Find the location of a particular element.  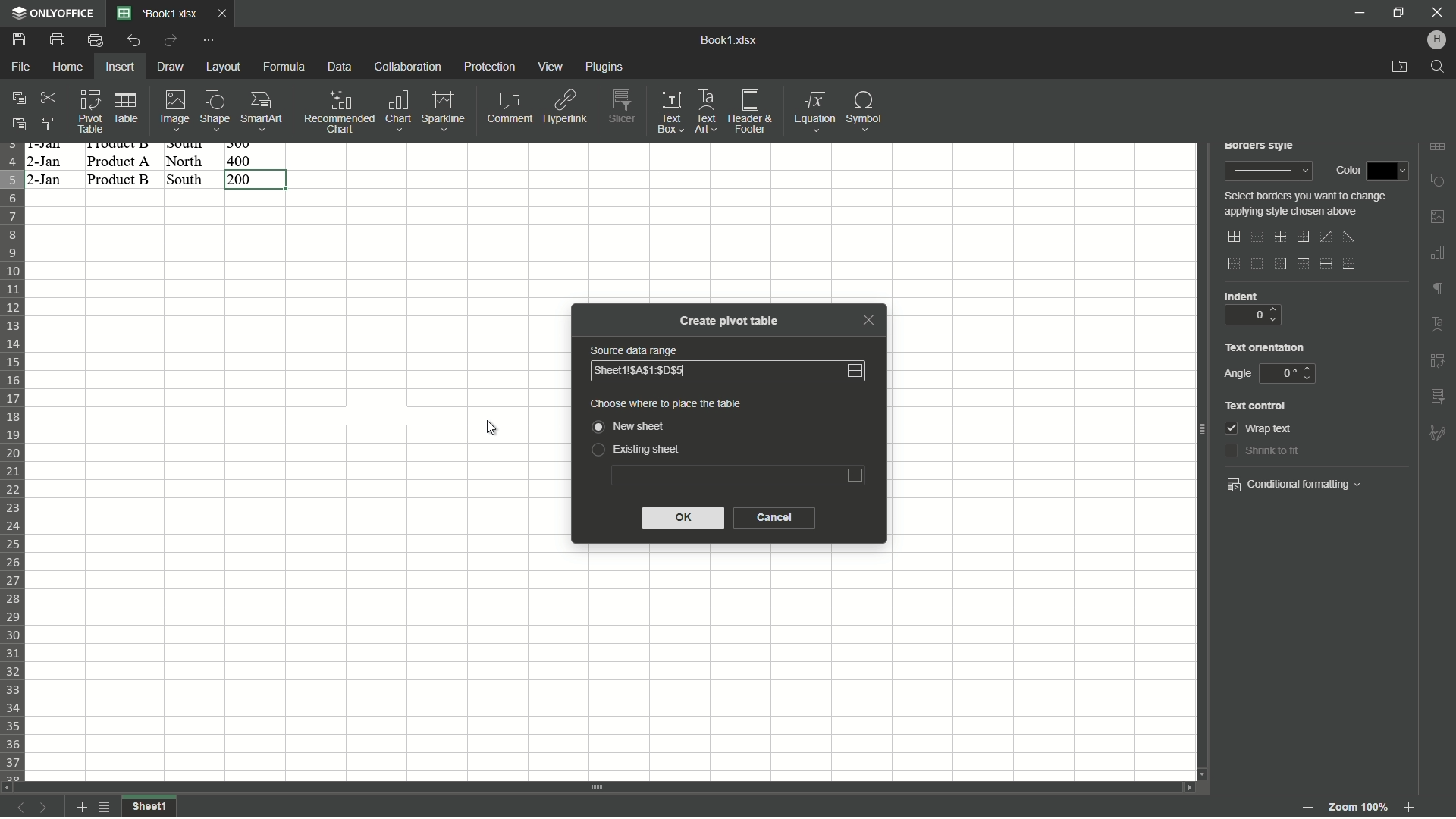

border style preview is located at coordinates (1267, 170).